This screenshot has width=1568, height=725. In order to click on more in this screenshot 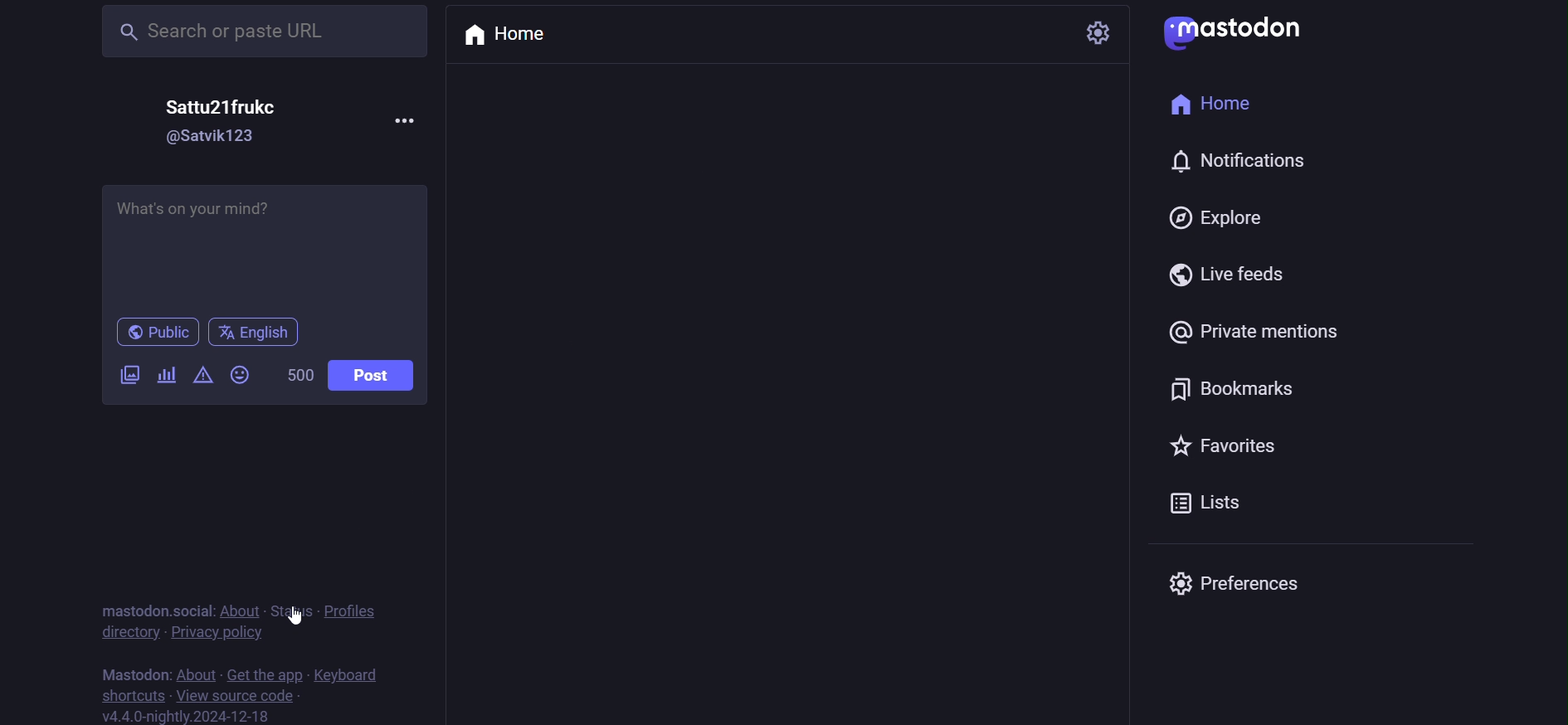, I will do `click(410, 122)`.